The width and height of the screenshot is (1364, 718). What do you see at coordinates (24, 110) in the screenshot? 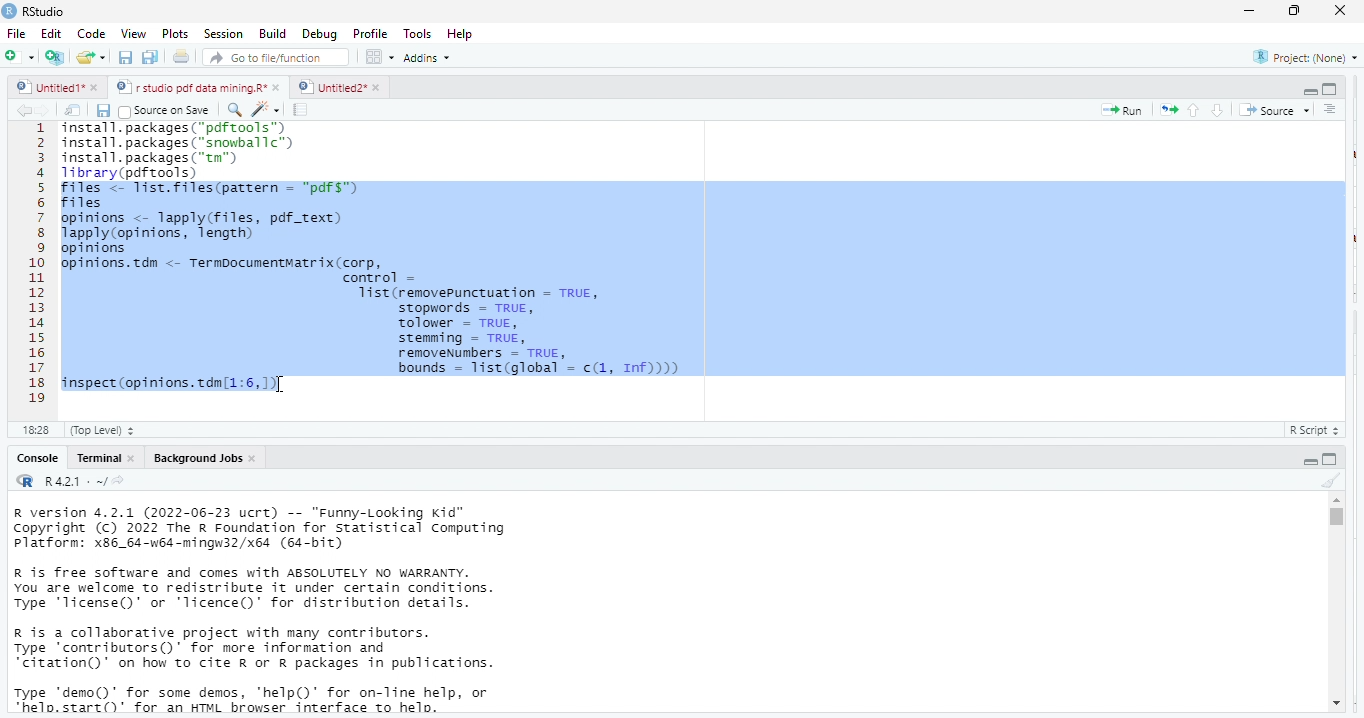
I see `go back to the previous source location` at bounding box center [24, 110].